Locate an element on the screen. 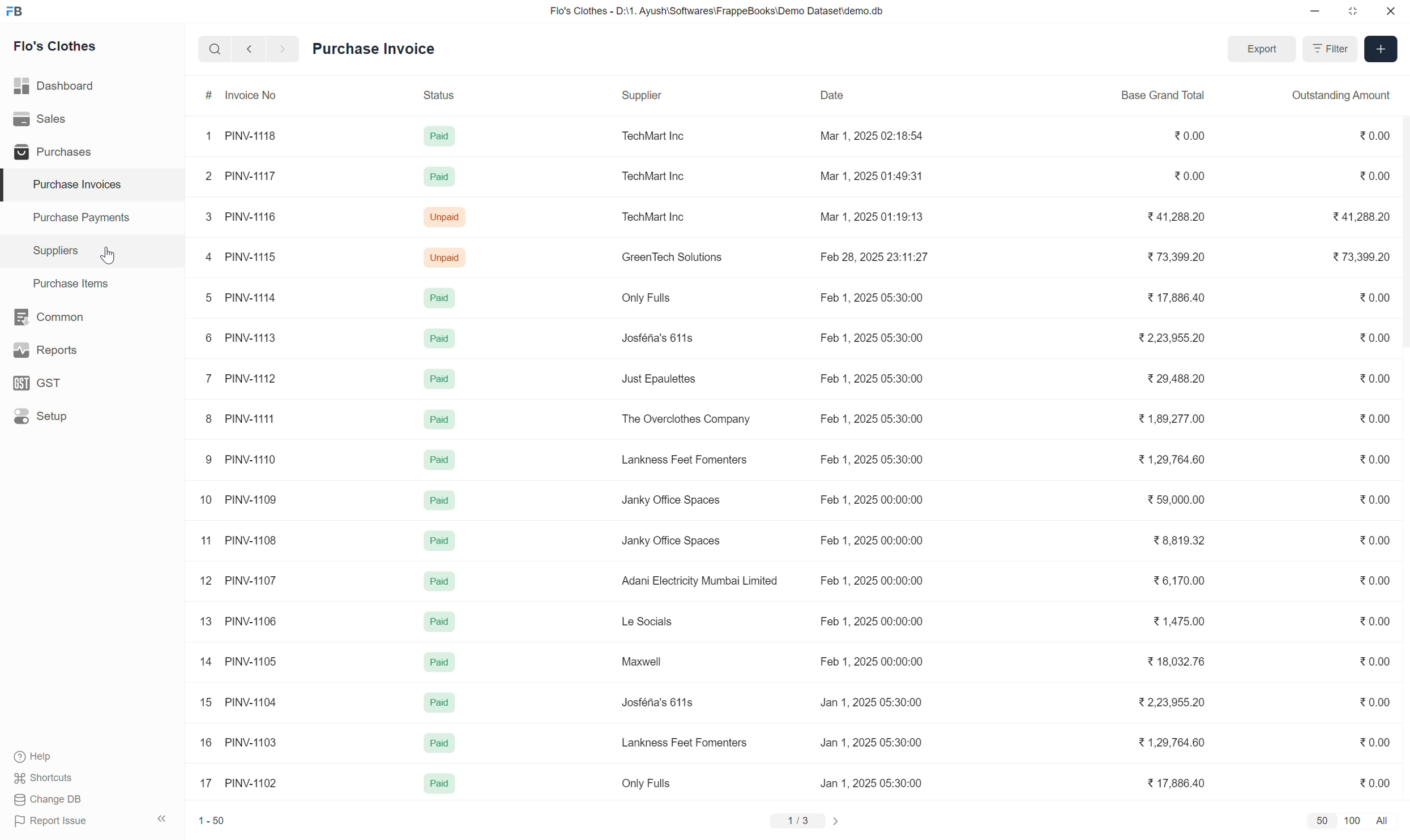 This screenshot has height=840, width=1410. %0.00 is located at coordinates (1369, 175).